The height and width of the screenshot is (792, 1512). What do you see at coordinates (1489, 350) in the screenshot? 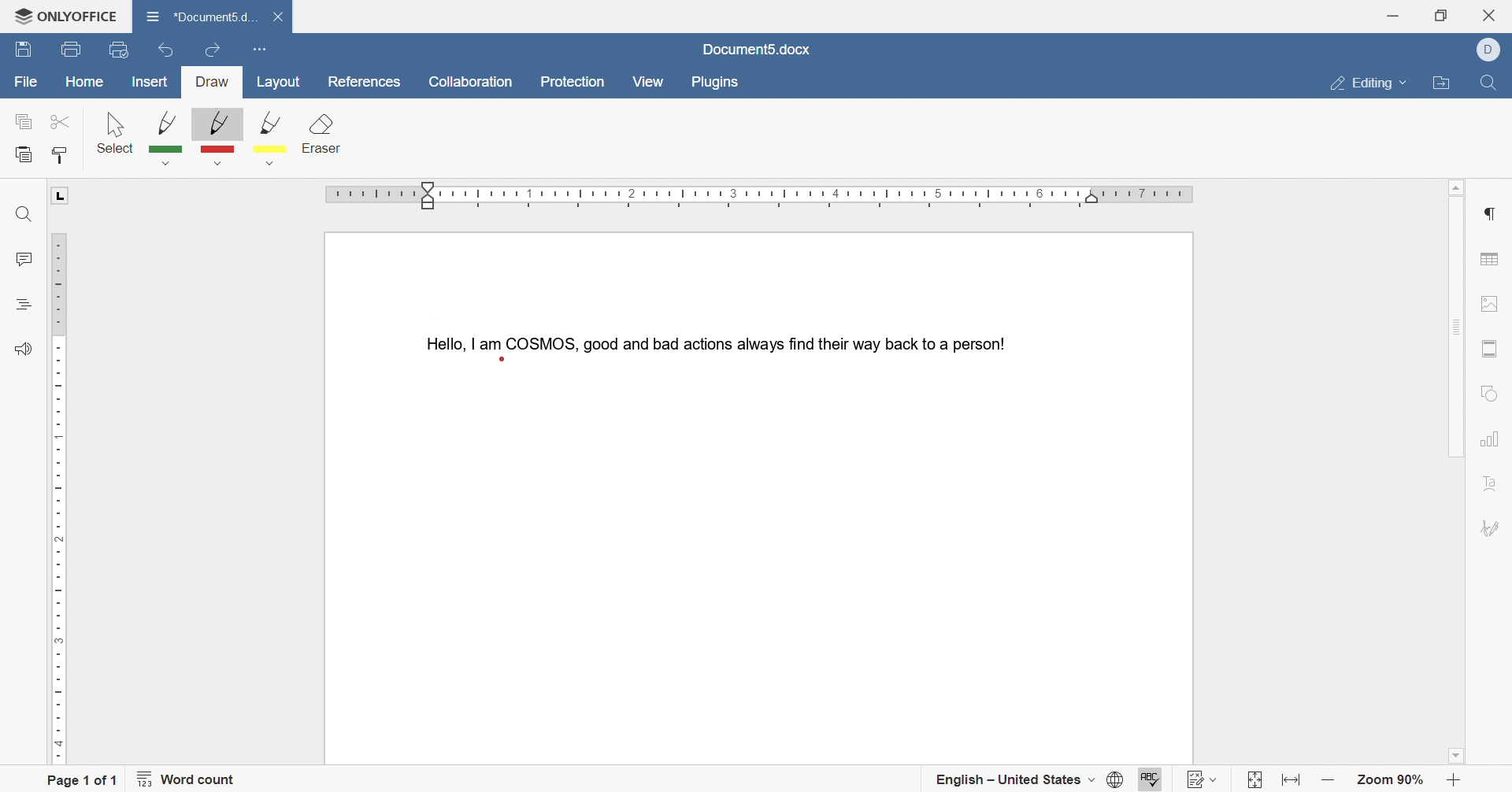
I see `header and footer settings` at bounding box center [1489, 350].